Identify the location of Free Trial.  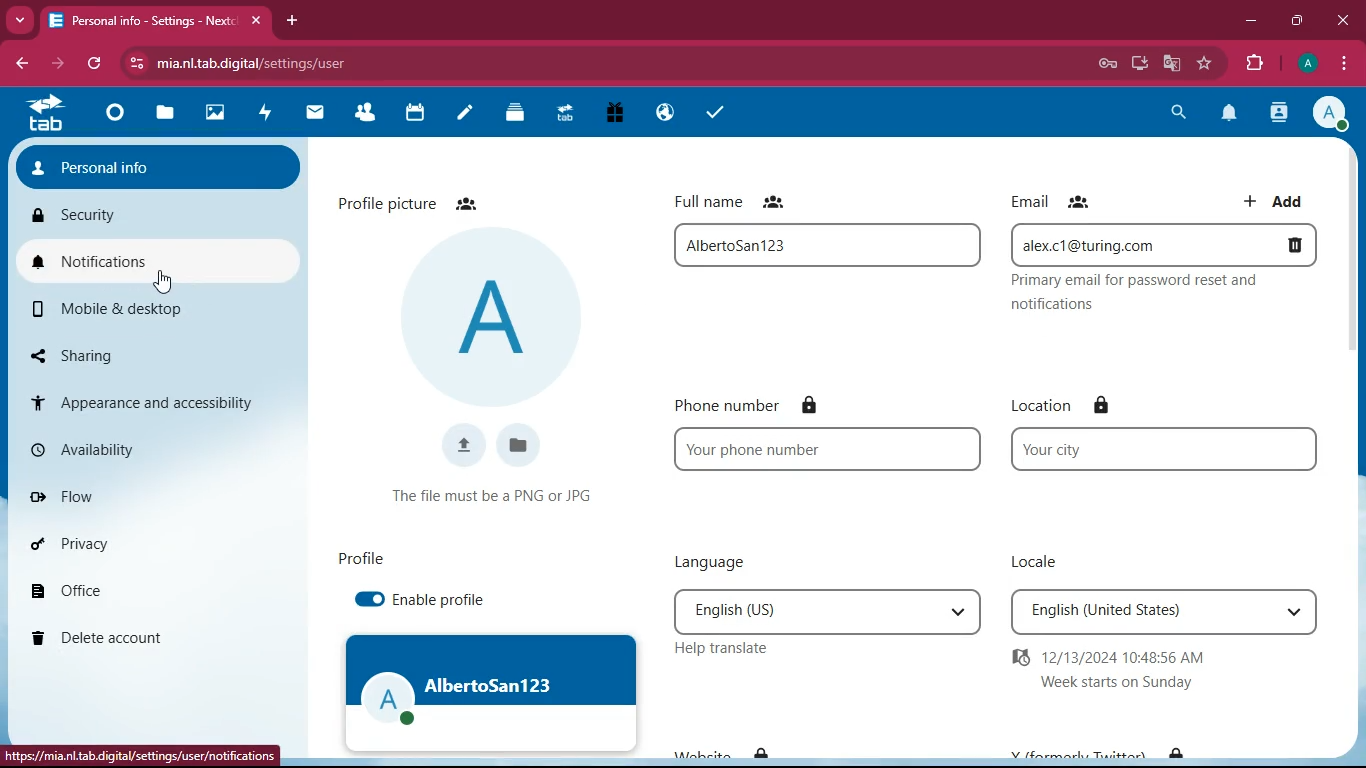
(613, 114).